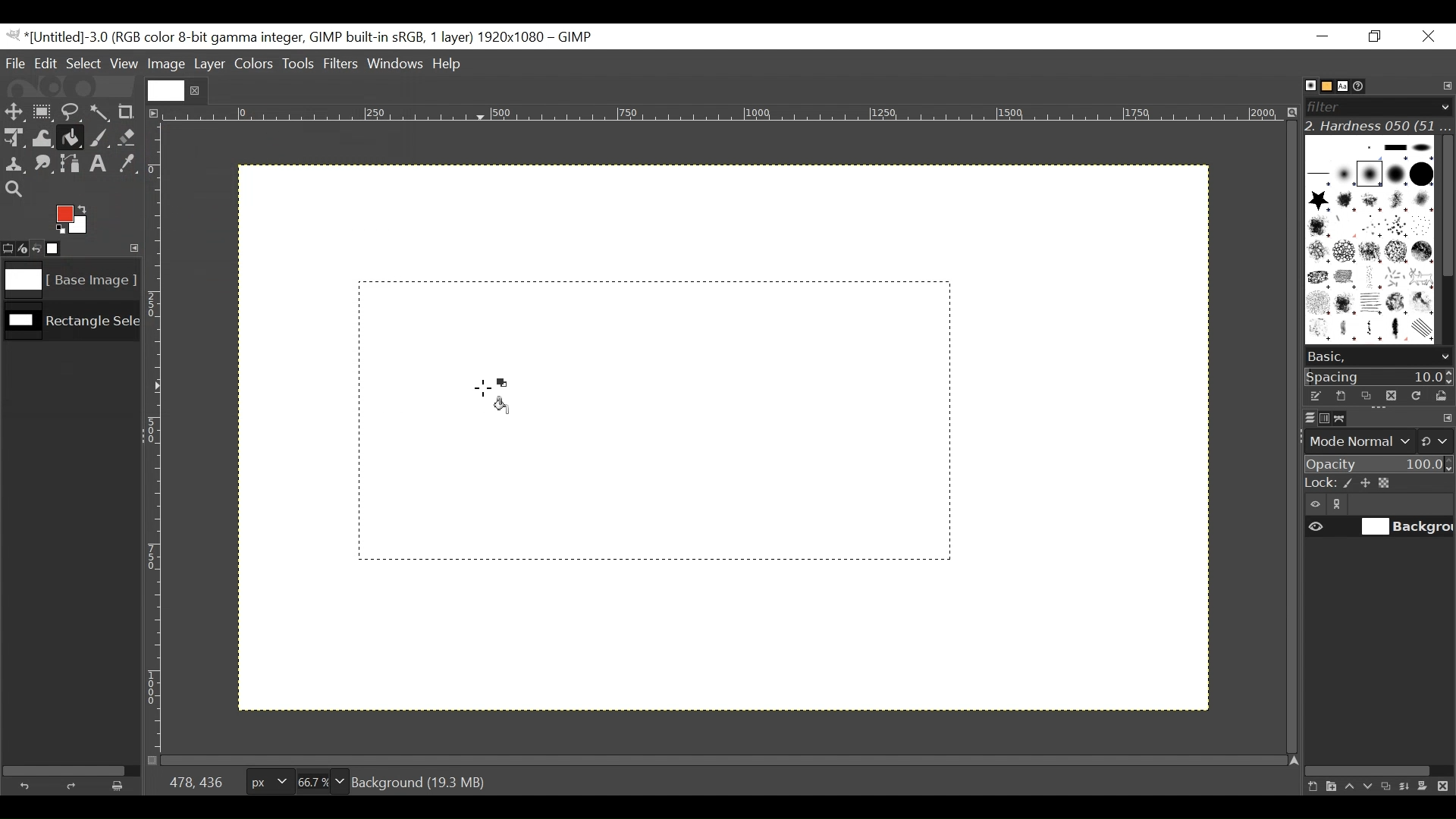 The image size is (1456, 819). Describe the element at coordinates (1427, 37) in the screenshot. I see `Close` at that location.